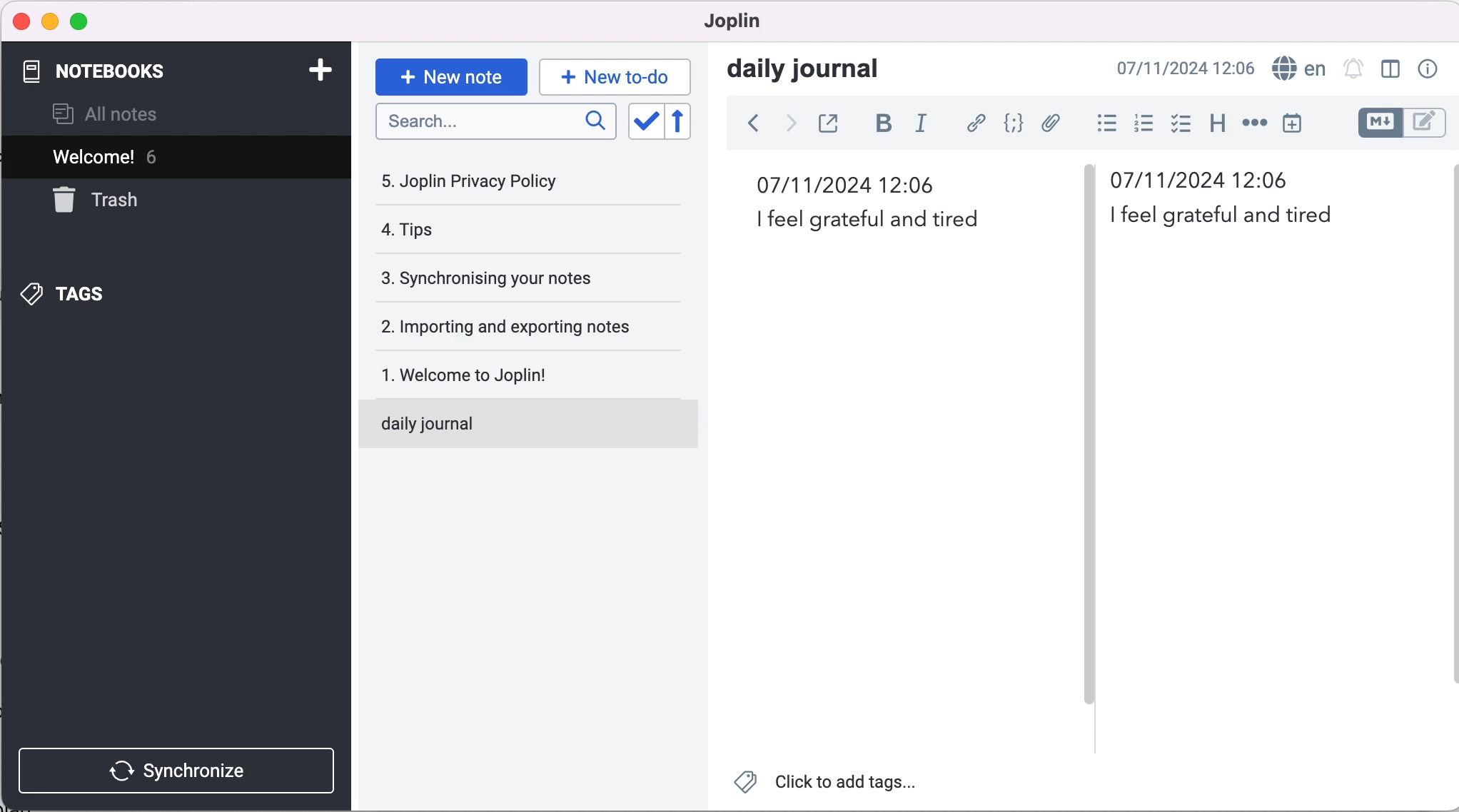 This screenshot has height=812, width=1459. I want to click on forward, so click(789, 123).